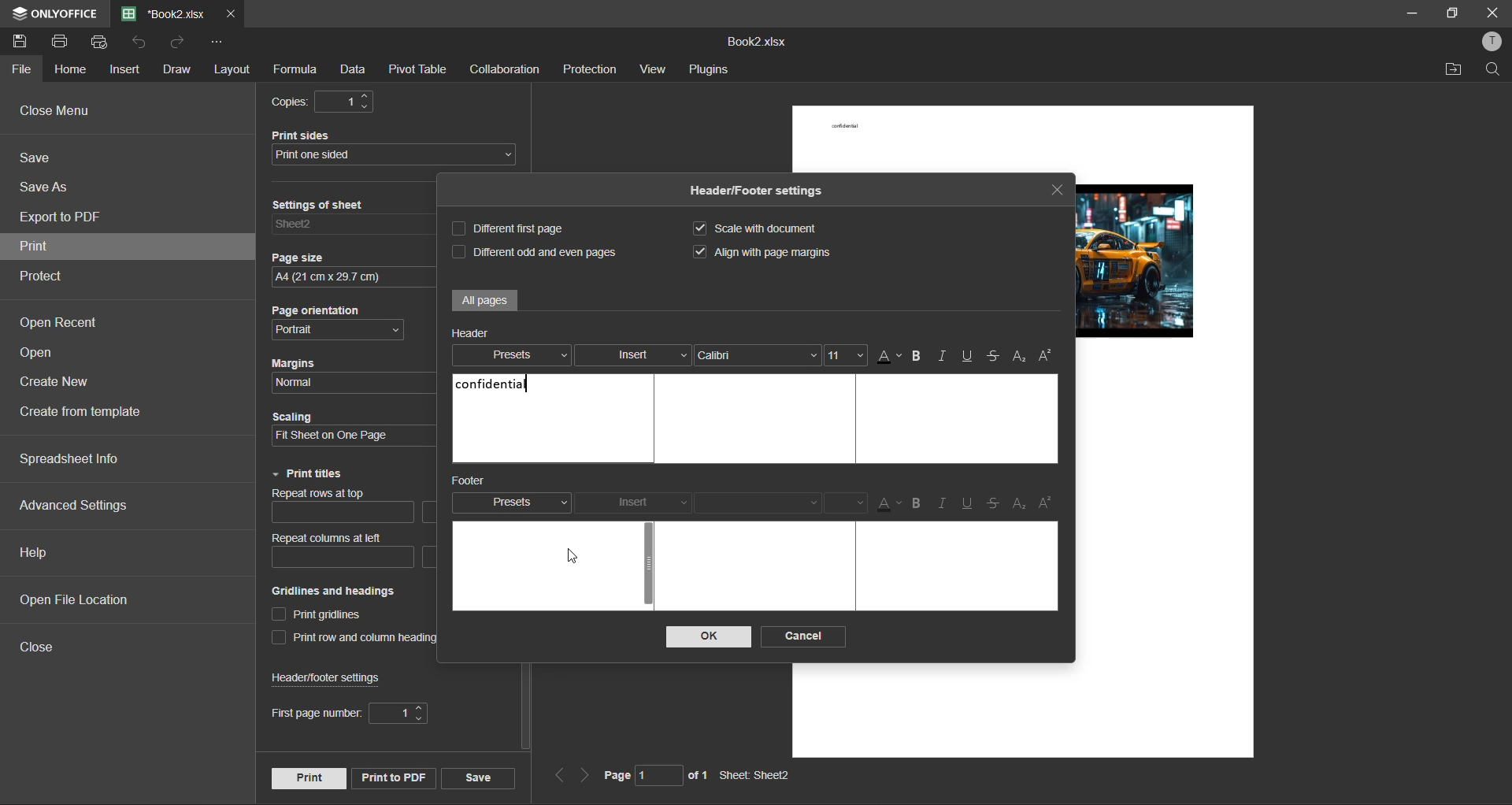 The width and height of the screenshot is (1512, 805). Describe the element at coordinates (1046, 356) in the screenshot. I see `superscript` at that location.